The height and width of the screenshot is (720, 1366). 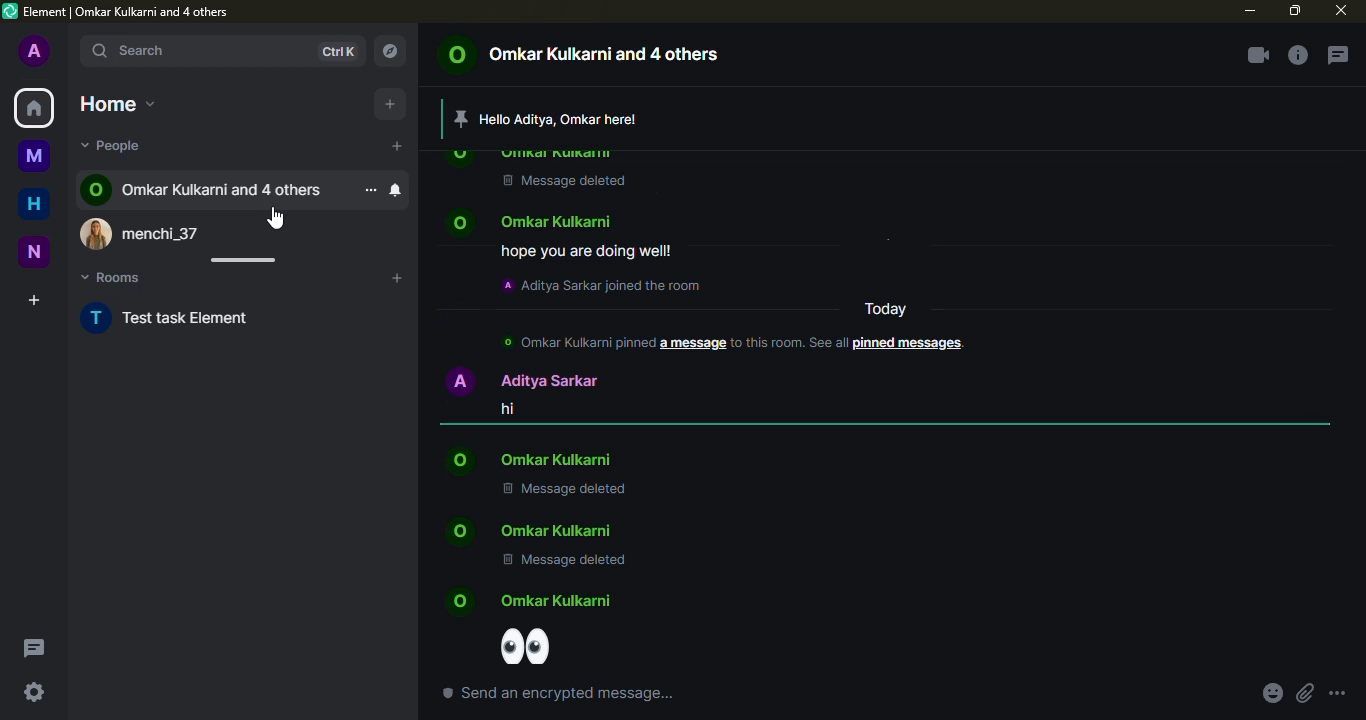 What do you see at coordinates (122, 102) in the screenshot?
I see `home` at bounding box center [122, 102].